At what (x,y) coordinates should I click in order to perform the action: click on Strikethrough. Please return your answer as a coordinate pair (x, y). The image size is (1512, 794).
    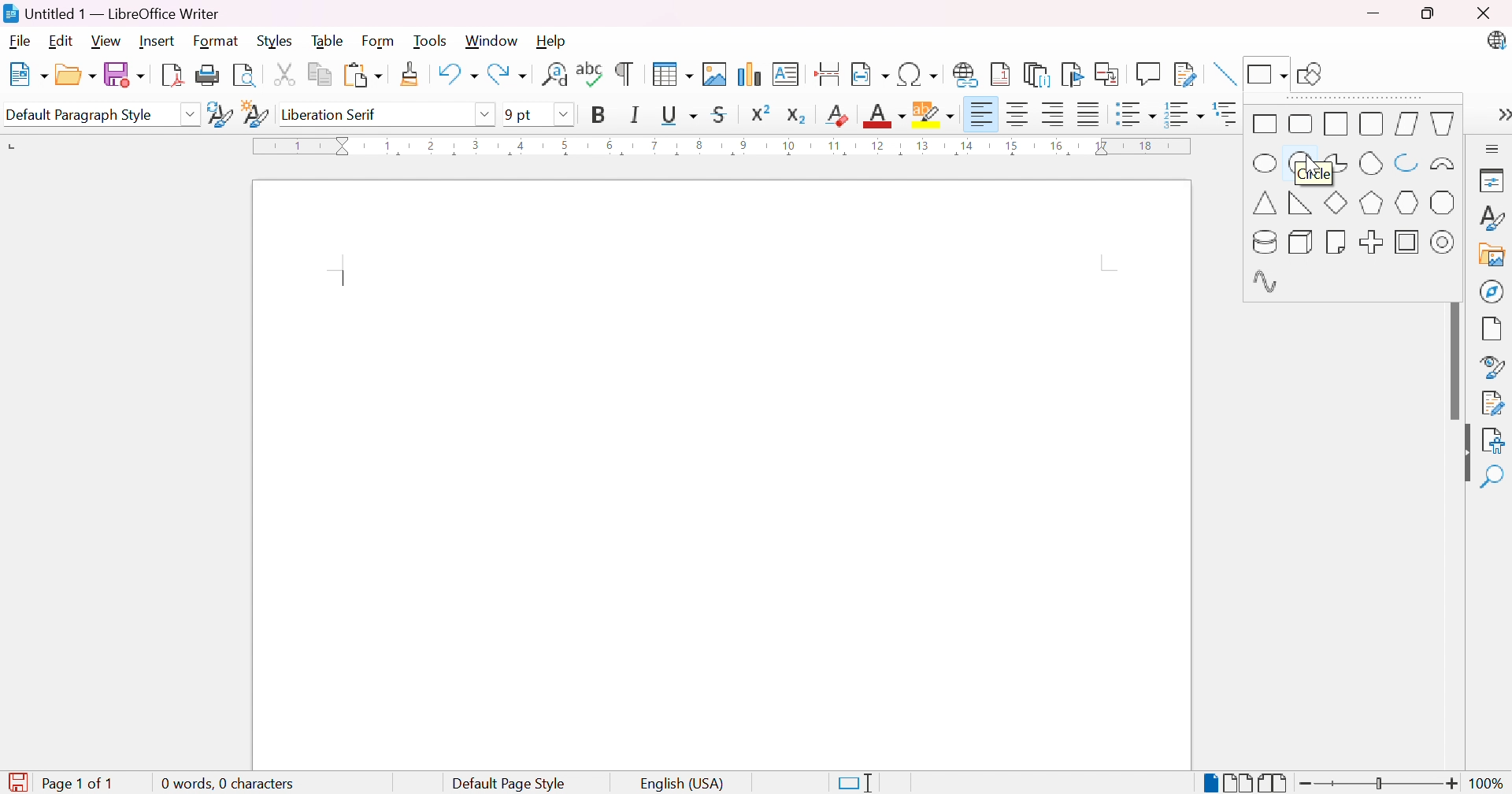
    Looking at the image, I should click on (719, 114).